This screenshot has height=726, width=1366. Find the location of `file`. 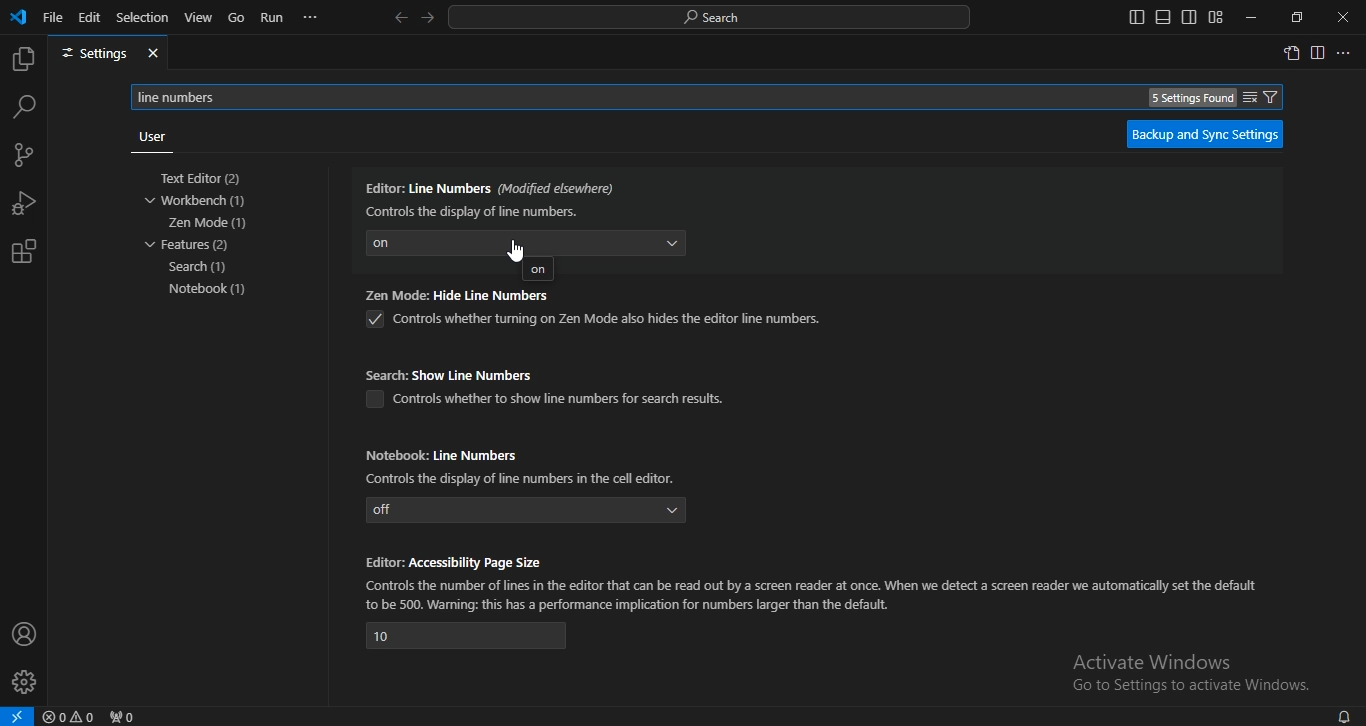

file is located at coordinates (53, 16).